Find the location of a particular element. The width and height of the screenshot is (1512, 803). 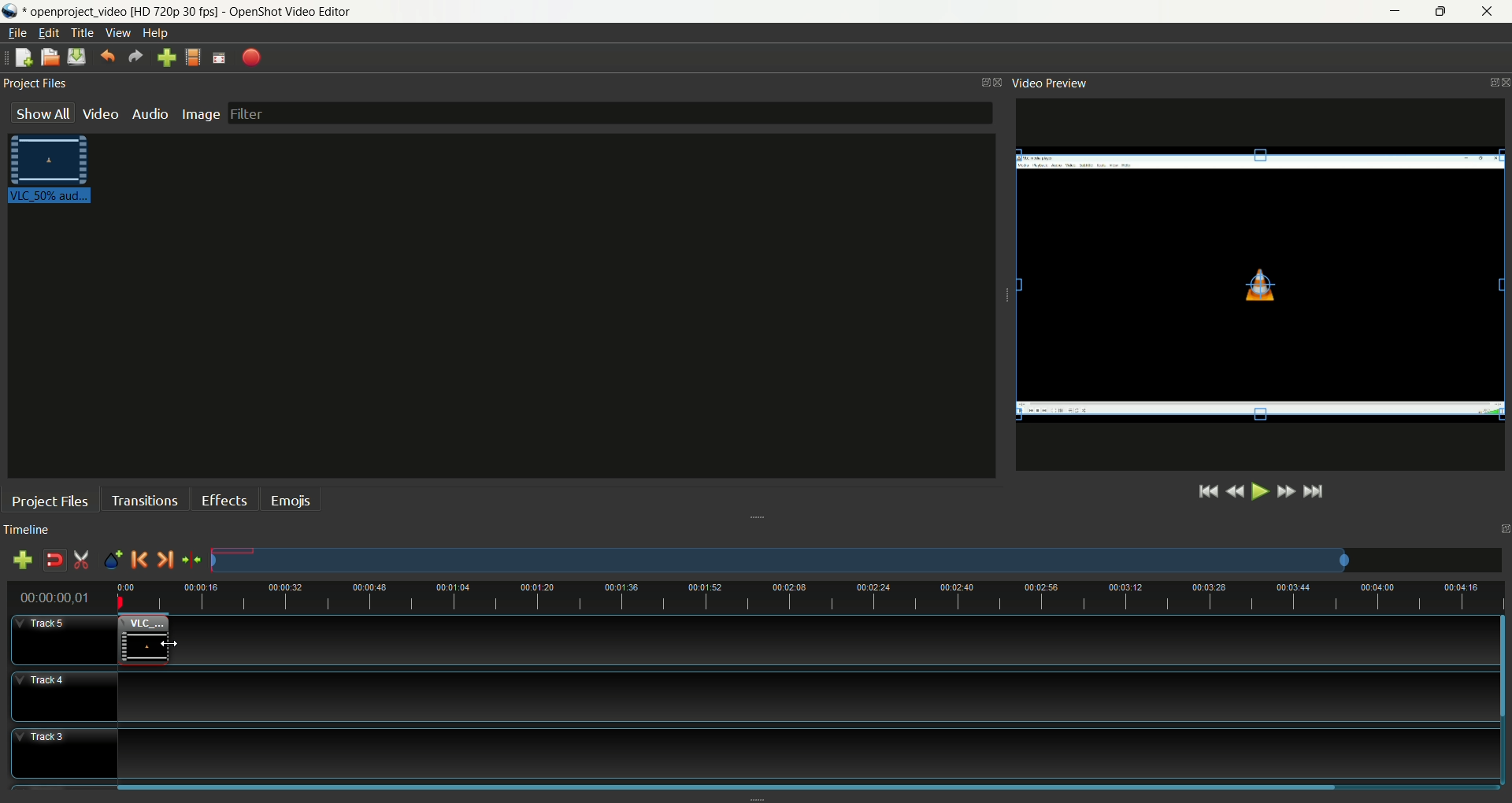

audio is located at coordinates (150, 113).